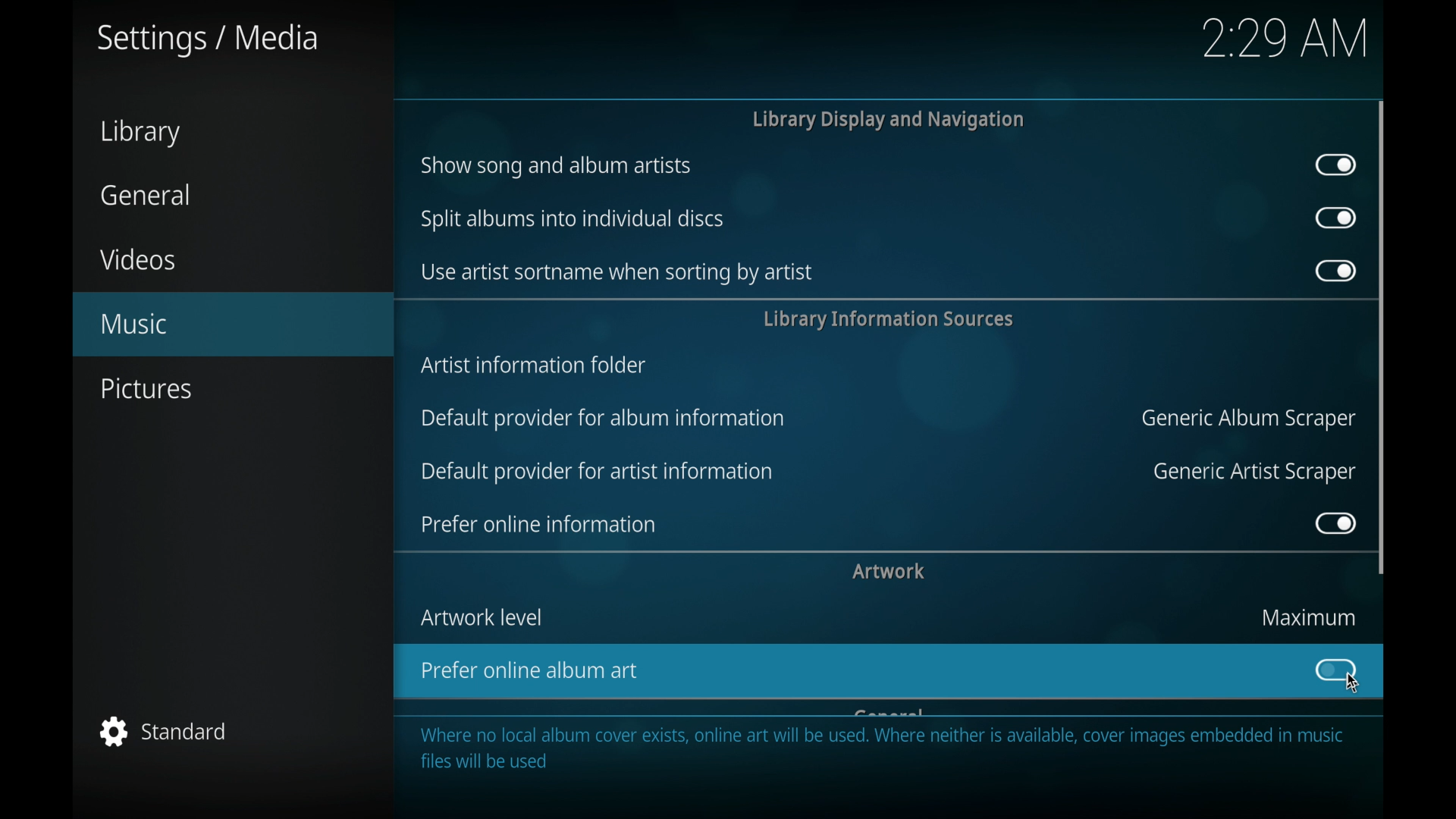  I want to click on cursor, so click(1357, 682).